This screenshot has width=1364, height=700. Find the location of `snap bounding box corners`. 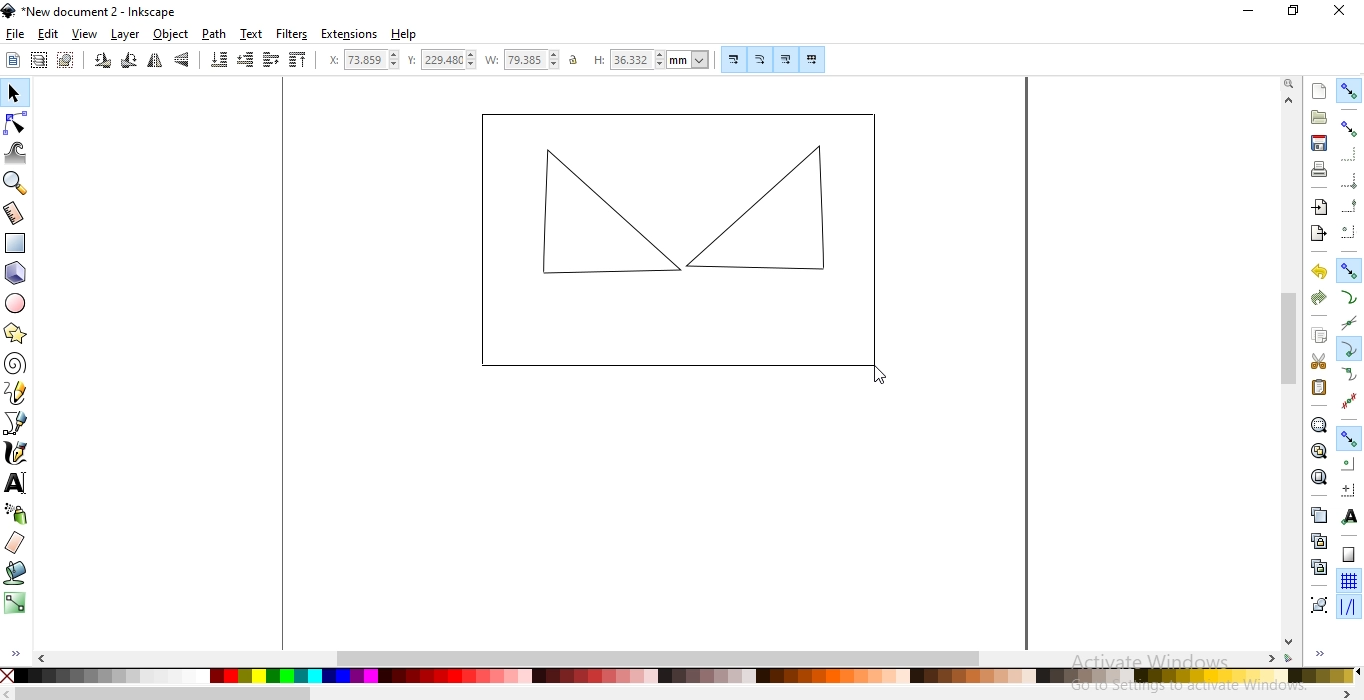

snap bounding box corners is located at coordinates (1349, 180).